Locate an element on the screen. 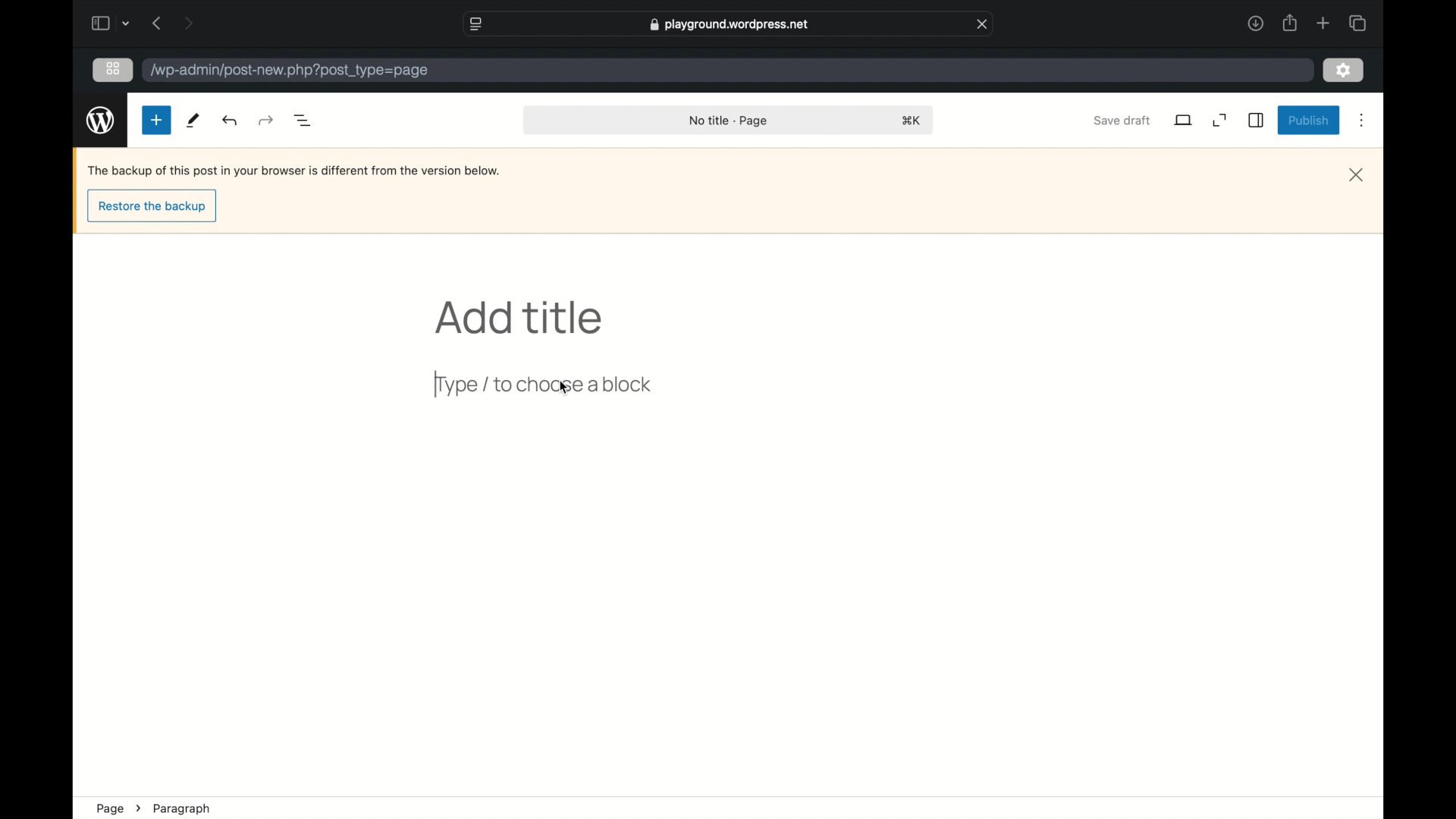 The image size is (1456, 819). settings is located at coordinates (1345, 69).